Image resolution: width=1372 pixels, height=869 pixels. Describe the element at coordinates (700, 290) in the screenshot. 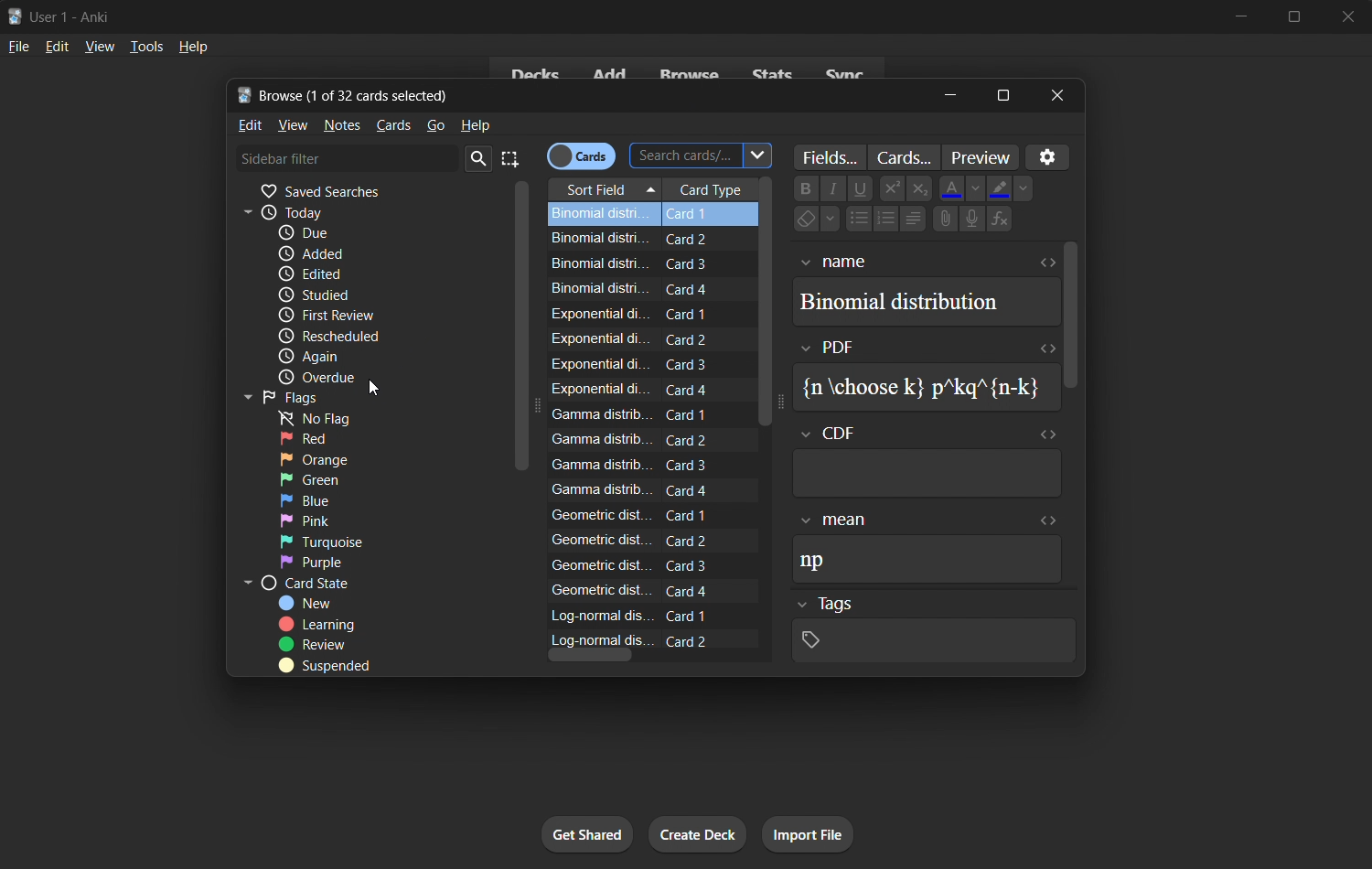

I see `Card 4` at that location.